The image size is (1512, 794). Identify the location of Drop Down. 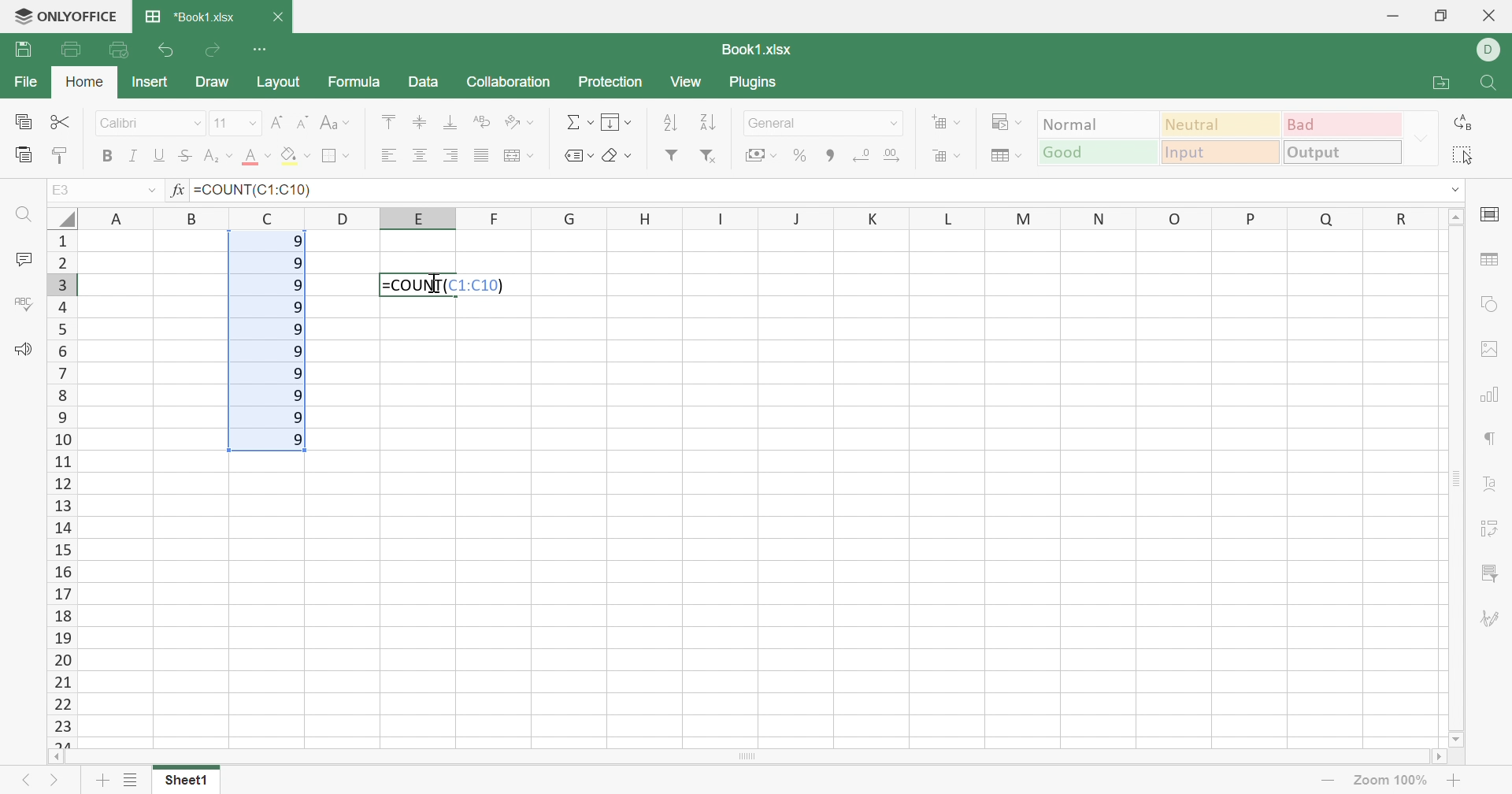
(152, 188).